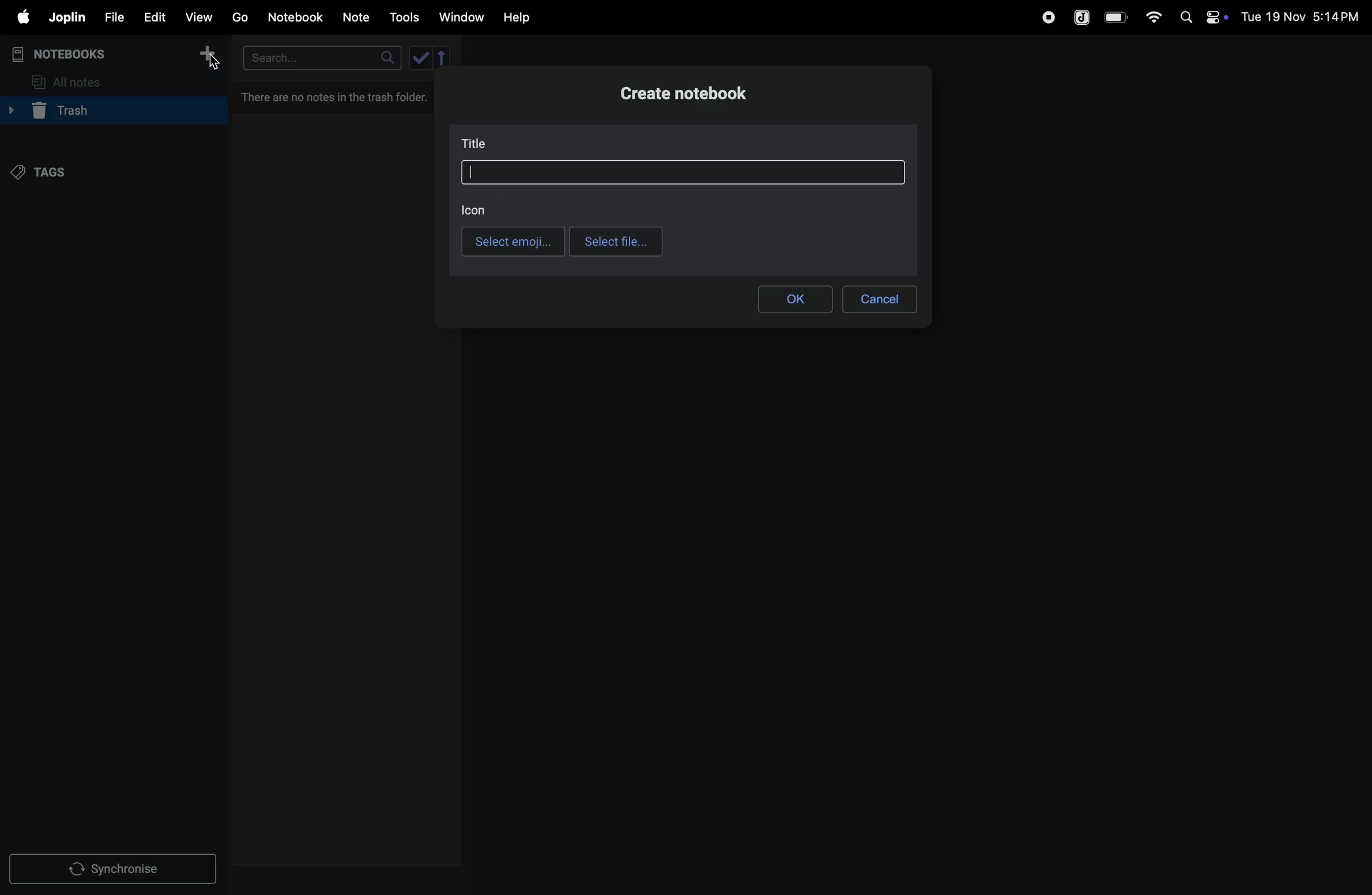 This screenshot has width=1372, height=895. I want to click on cursor, so click(213, 60).